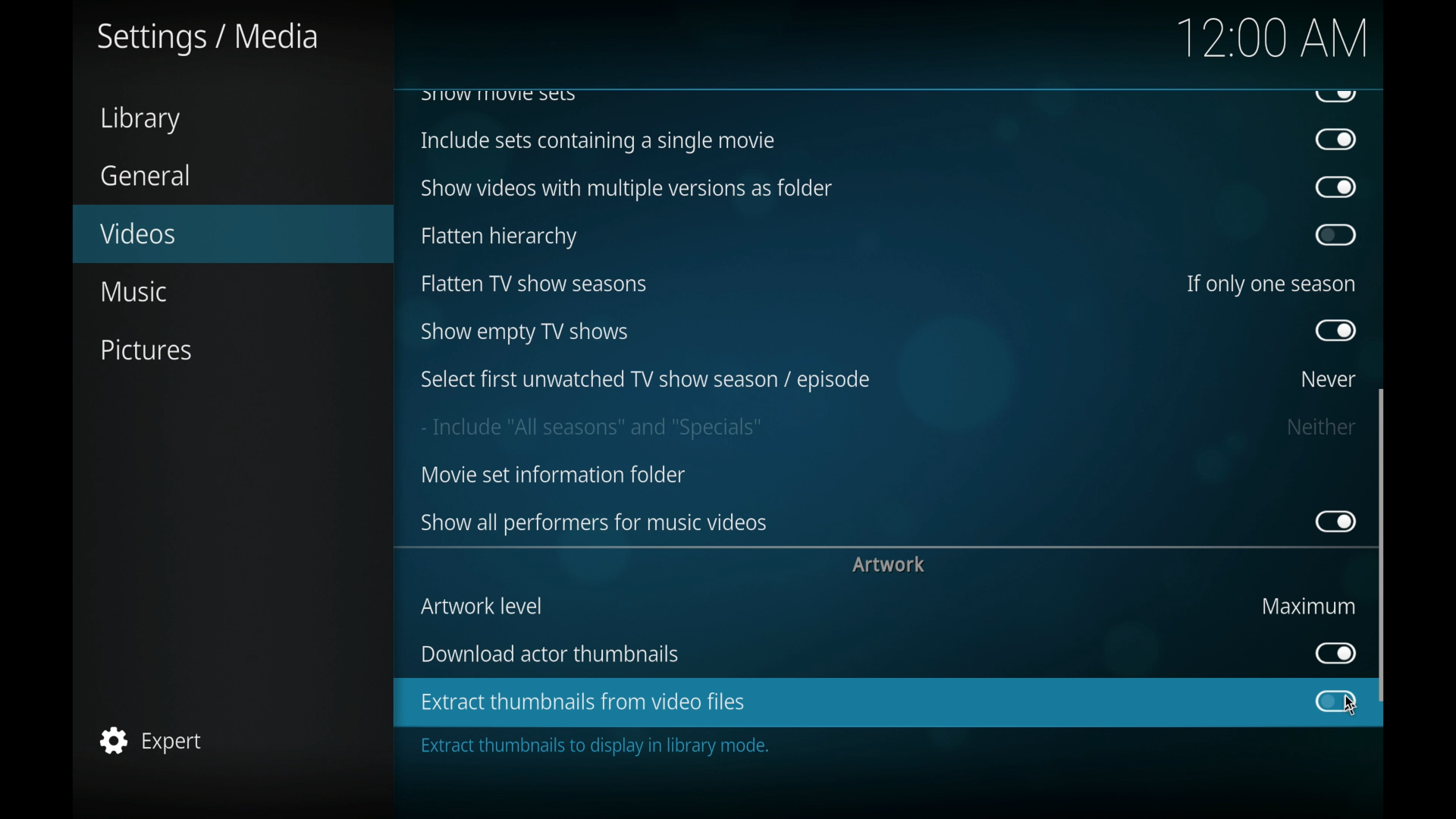  Describe the element at coordinates (591, 429) in the screenshot. I see `include all seasons and specials` at that location.